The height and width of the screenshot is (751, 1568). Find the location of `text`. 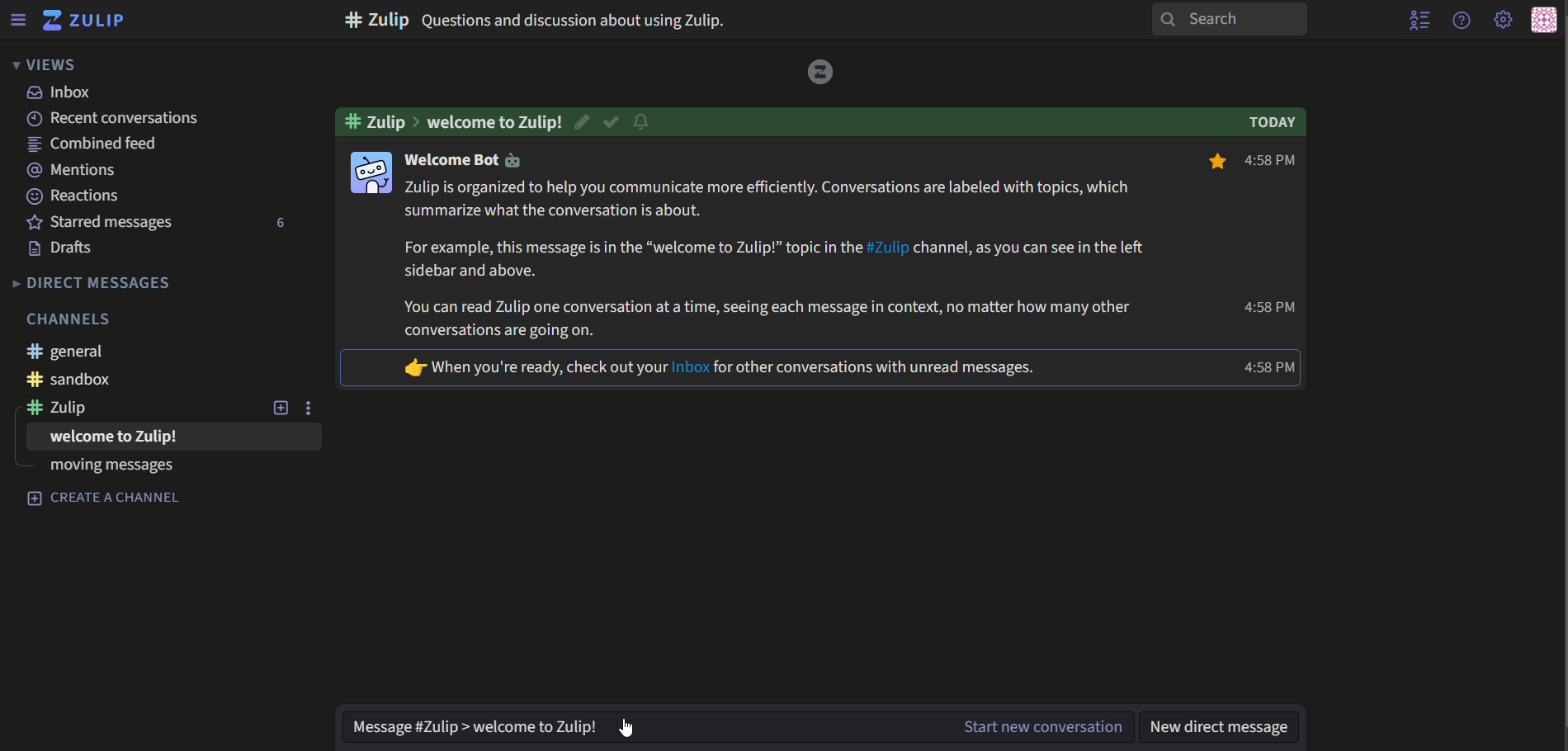

text is located at coordinates (102, 222).